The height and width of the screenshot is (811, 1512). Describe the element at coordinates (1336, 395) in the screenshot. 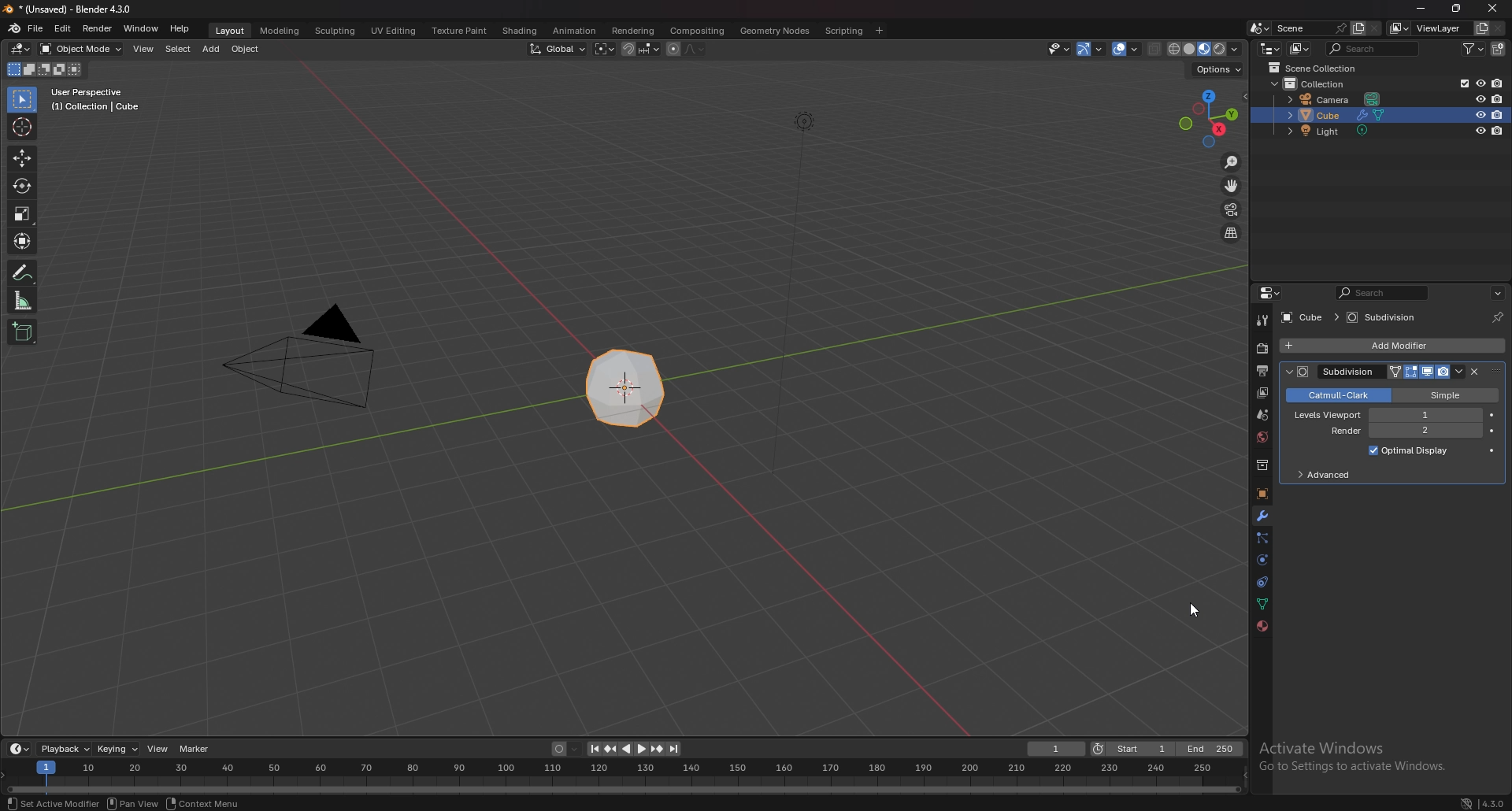

I see `catmull clark` at that location.